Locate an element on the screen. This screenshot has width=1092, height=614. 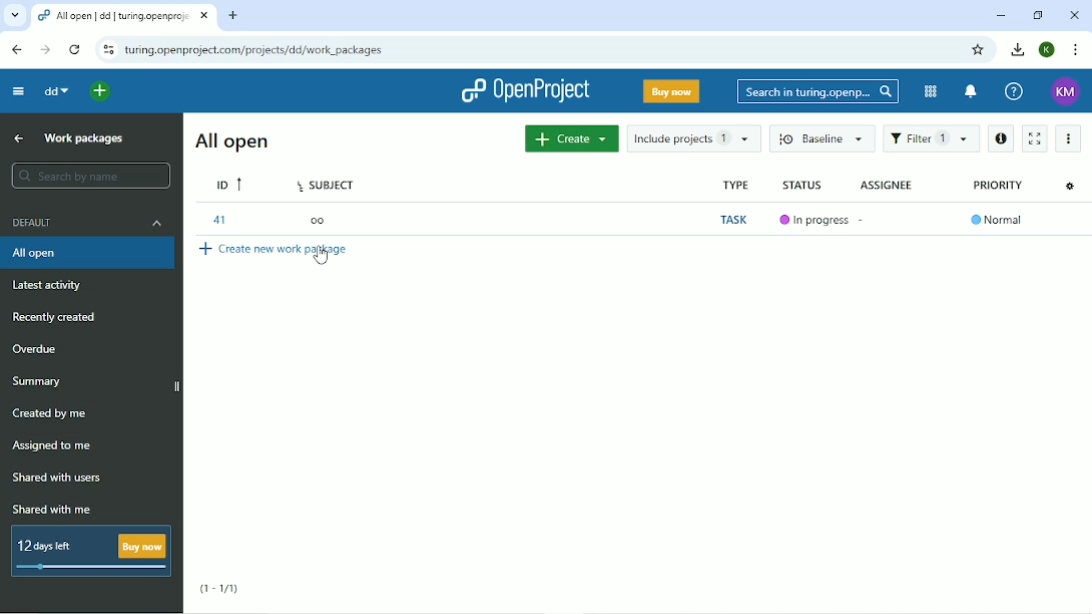
New tab is located at coordinates (233, 16).